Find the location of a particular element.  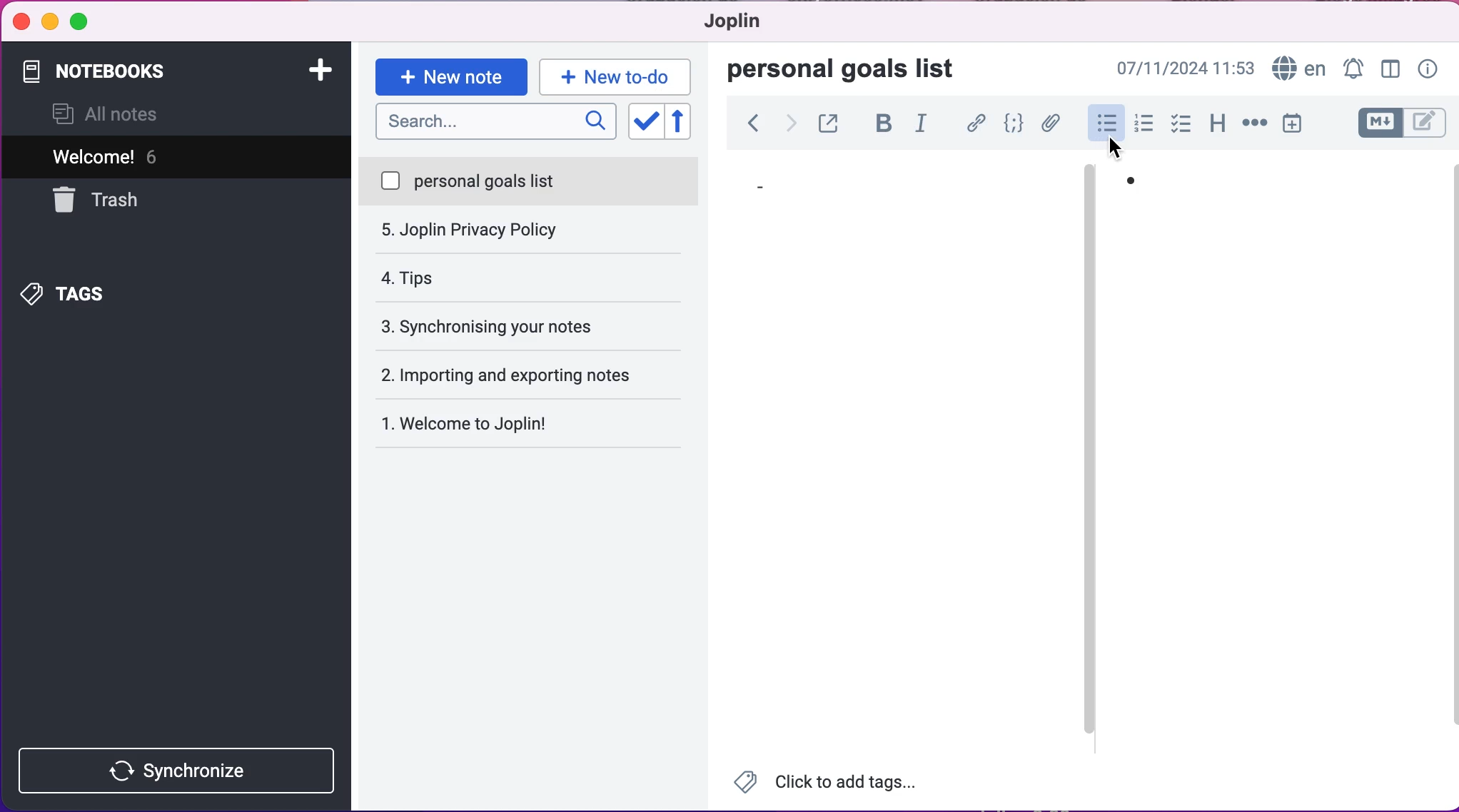

language is located at coordinates (1298, 66).